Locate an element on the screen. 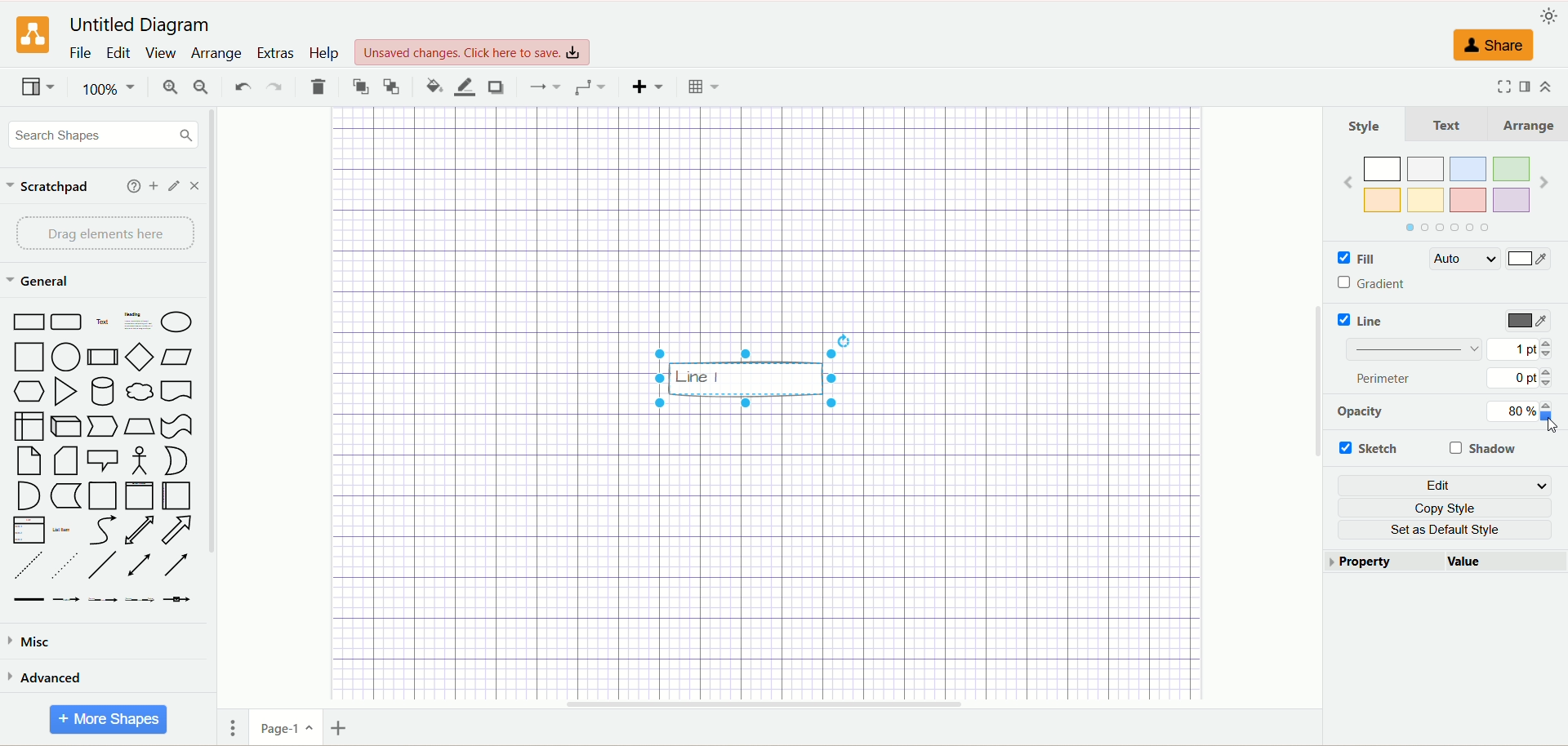 The height and width of the screenshot is (746, 1568). Diamond is located at coordinates (138, 357).